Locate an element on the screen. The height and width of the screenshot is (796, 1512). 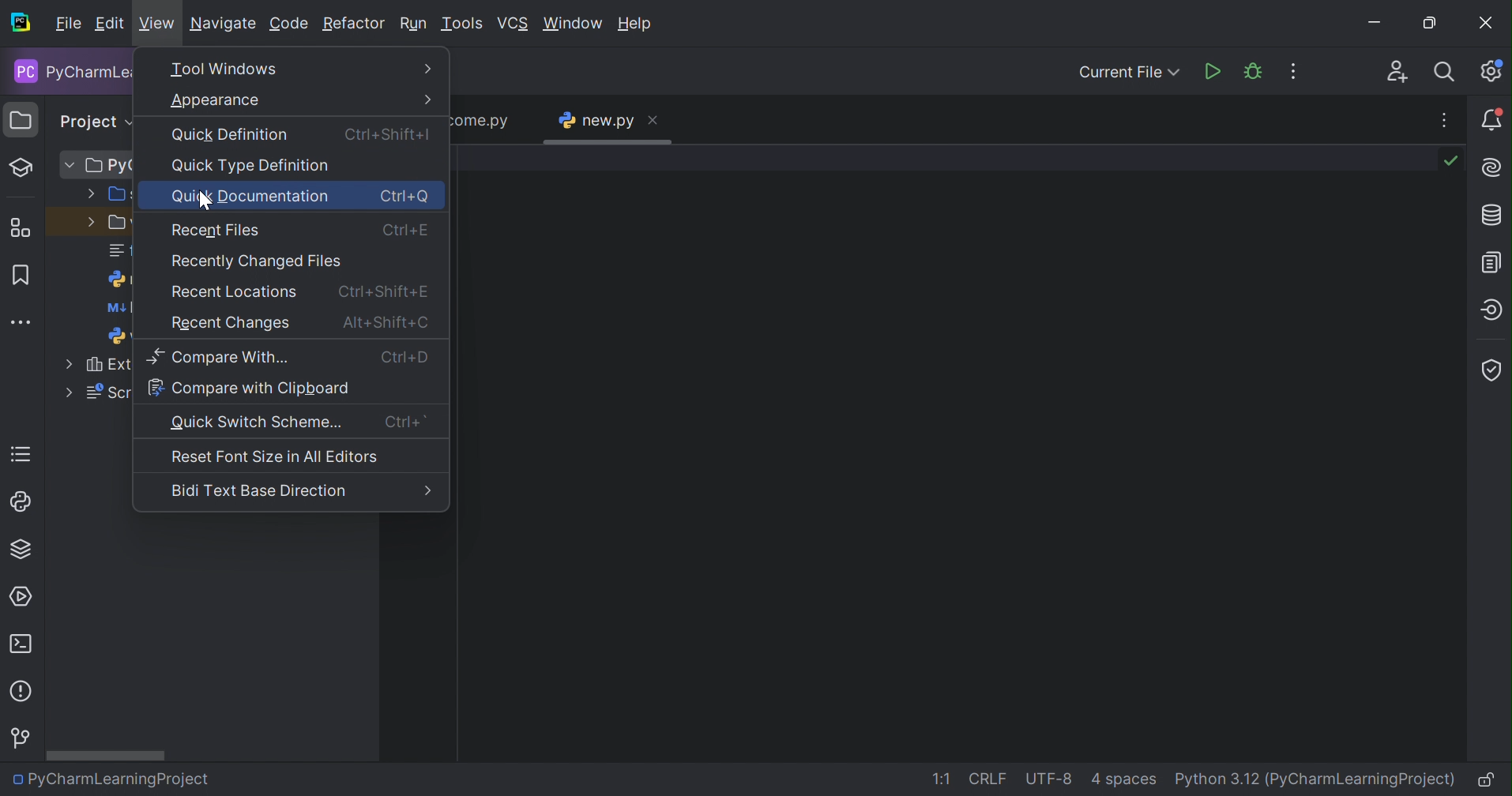
work space is located at coordinates (950, 449).